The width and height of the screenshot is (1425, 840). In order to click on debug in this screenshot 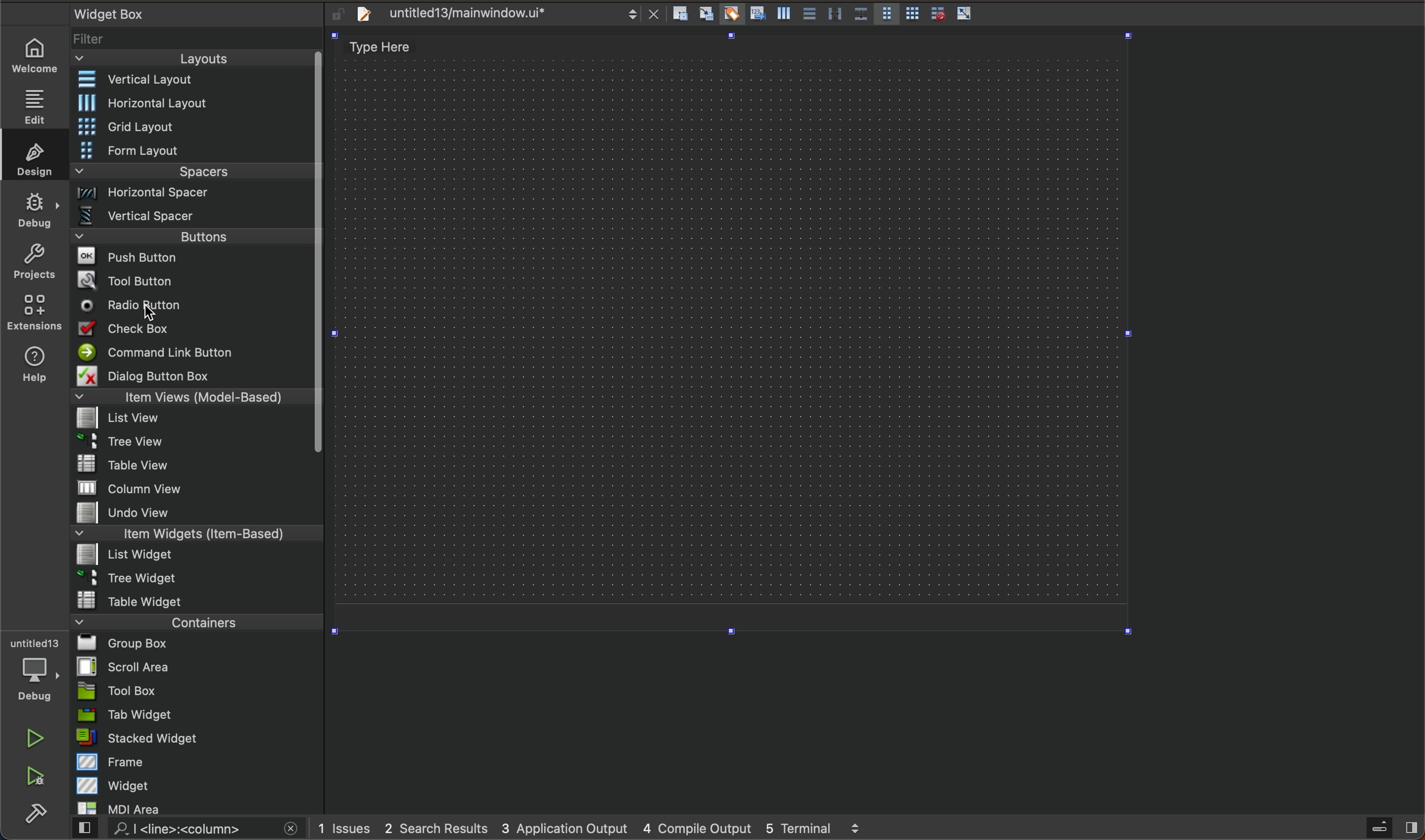, I will do `click(36, 209)`.